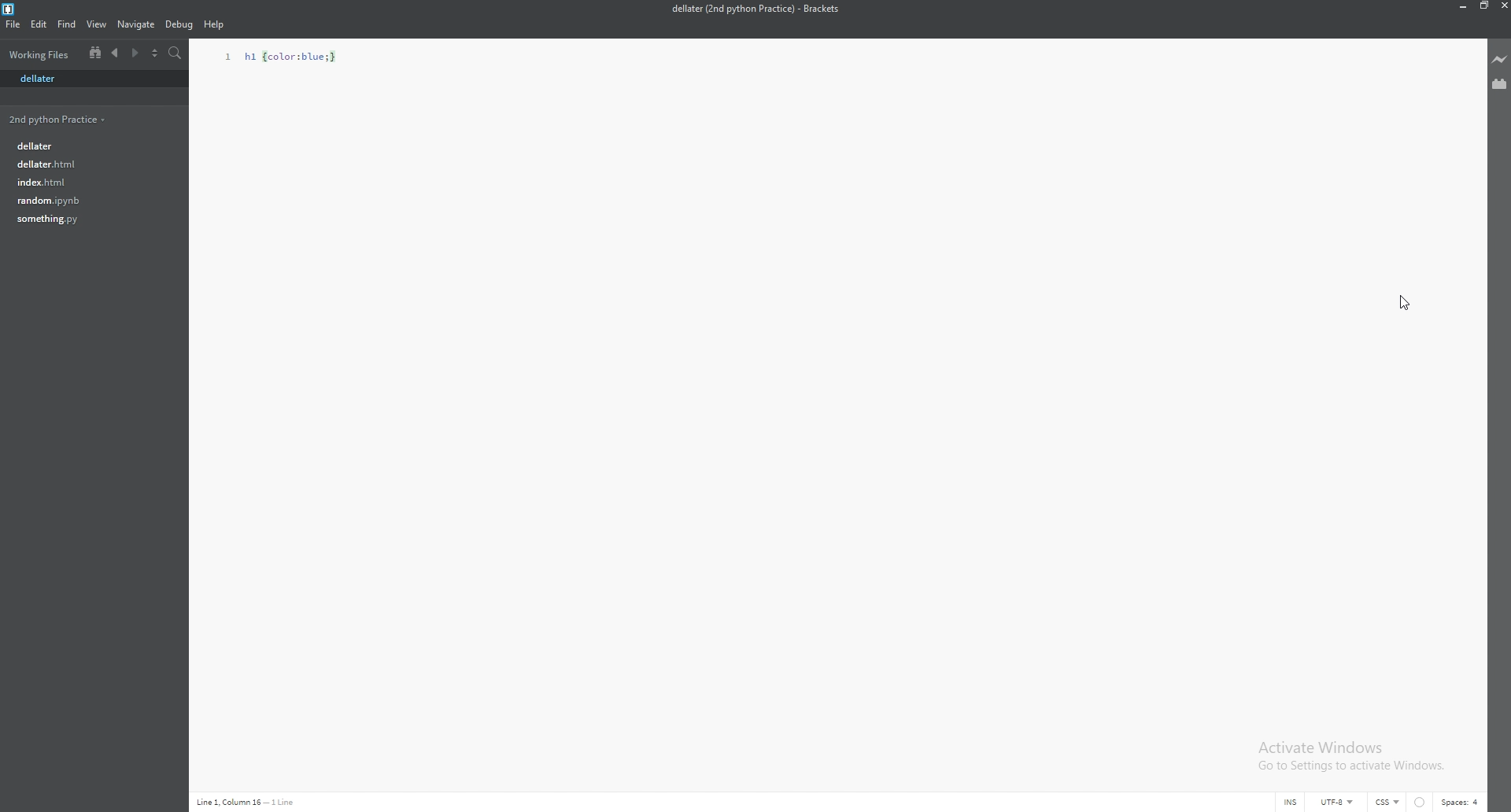 The height and width of the screenshot is (812, 1511). I want to click on split view, so click(154, 54).